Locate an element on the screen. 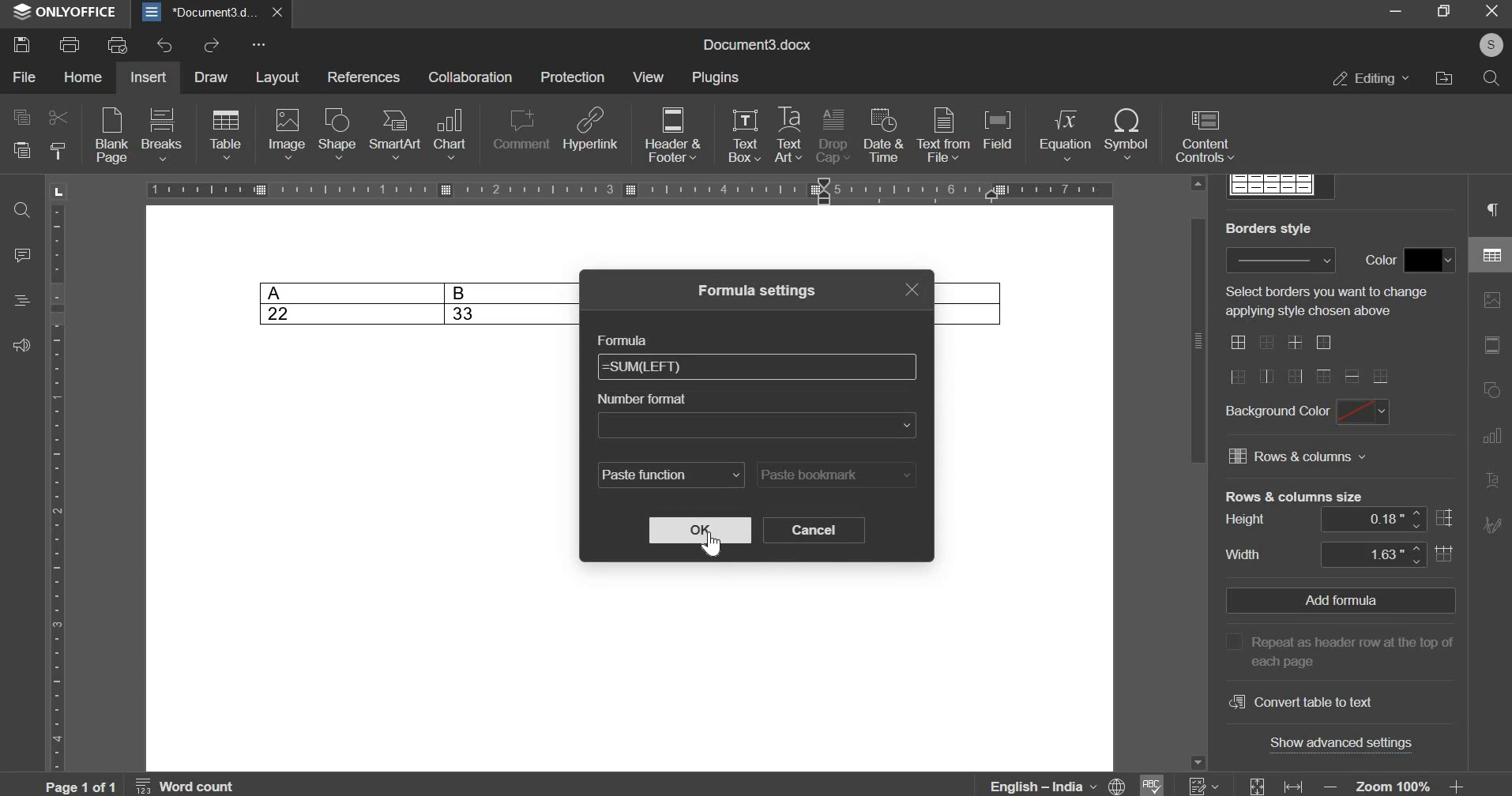 The image size is (1512, 796). paste is located at coordinates (19, 150).